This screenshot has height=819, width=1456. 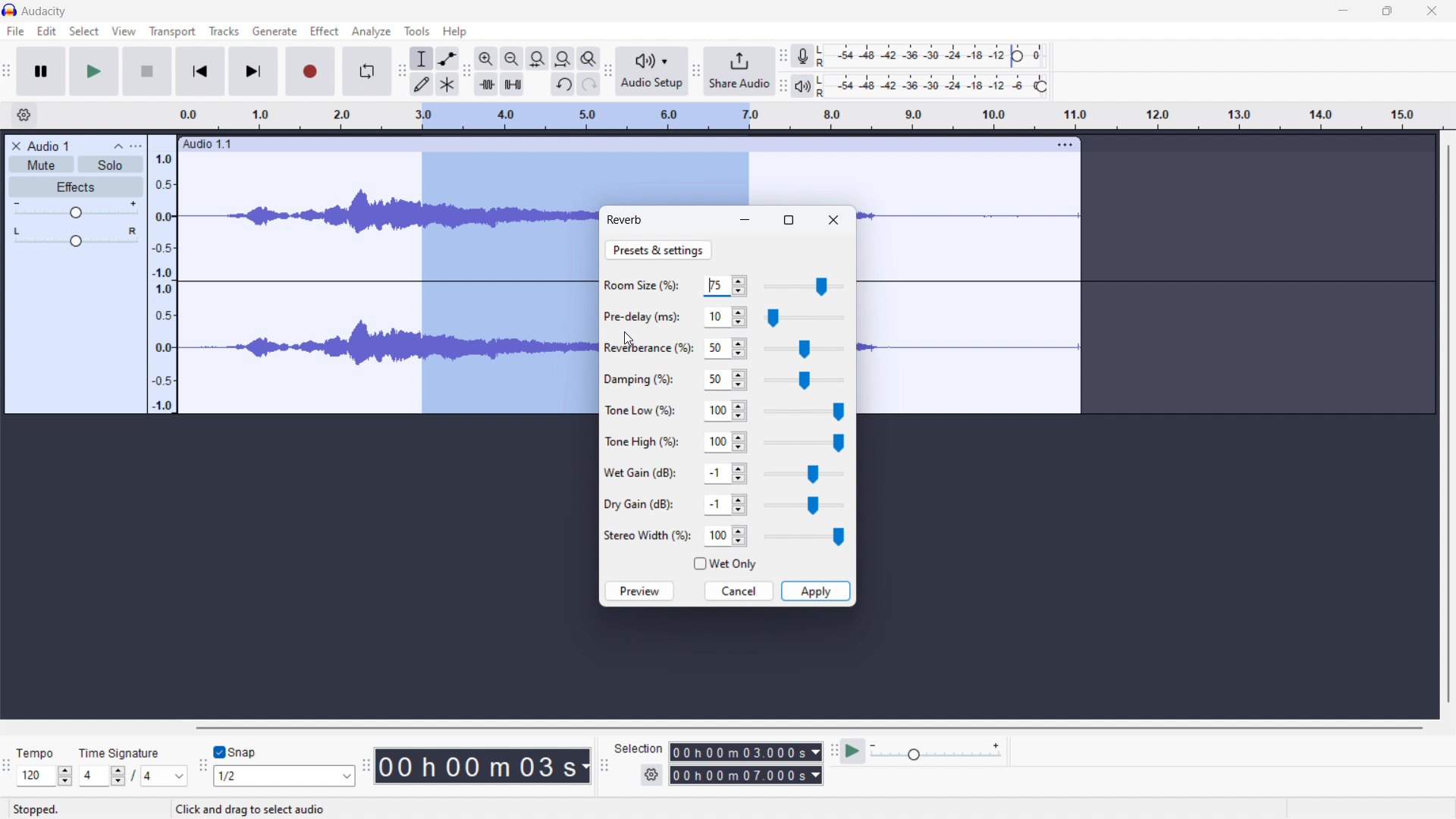 I want to click on maximize, so click(x=789, y=220).